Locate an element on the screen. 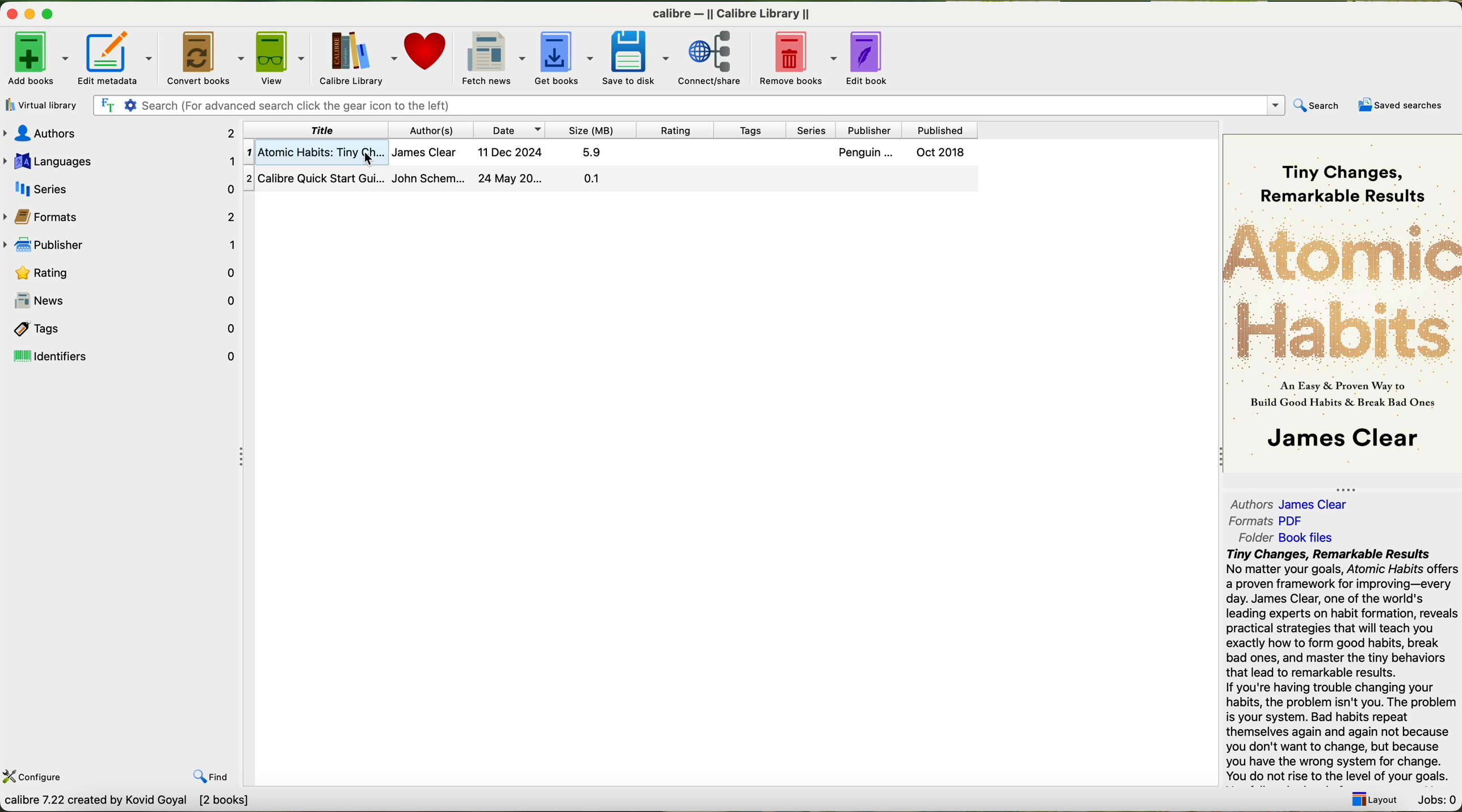 The width and height of the screenshot is (1462, 812). authors is located at coordinates (118, 133).